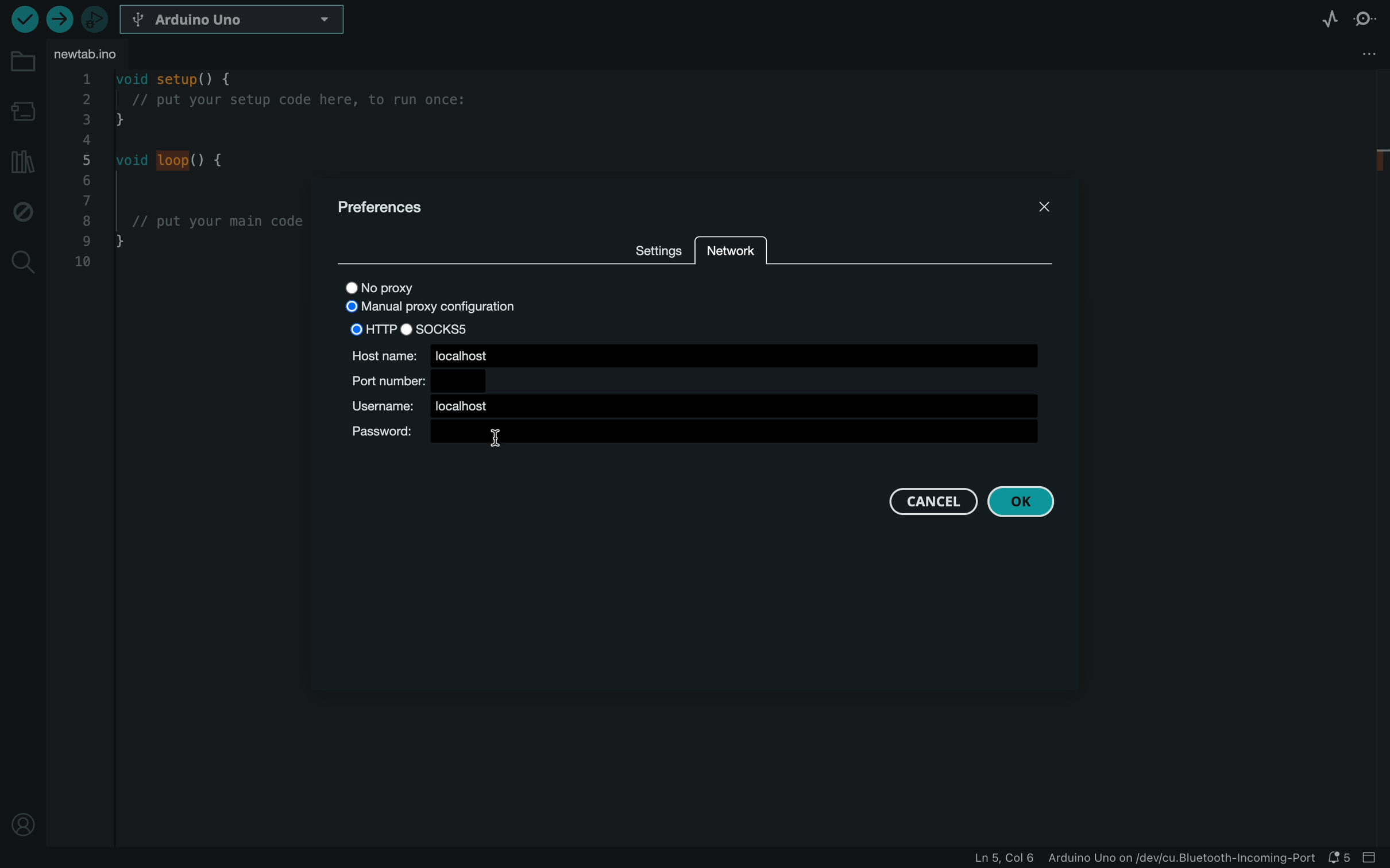  What do you see at coordinates (23, 260) in the screenshot?
I see `search` at bounding box center [23, 260].